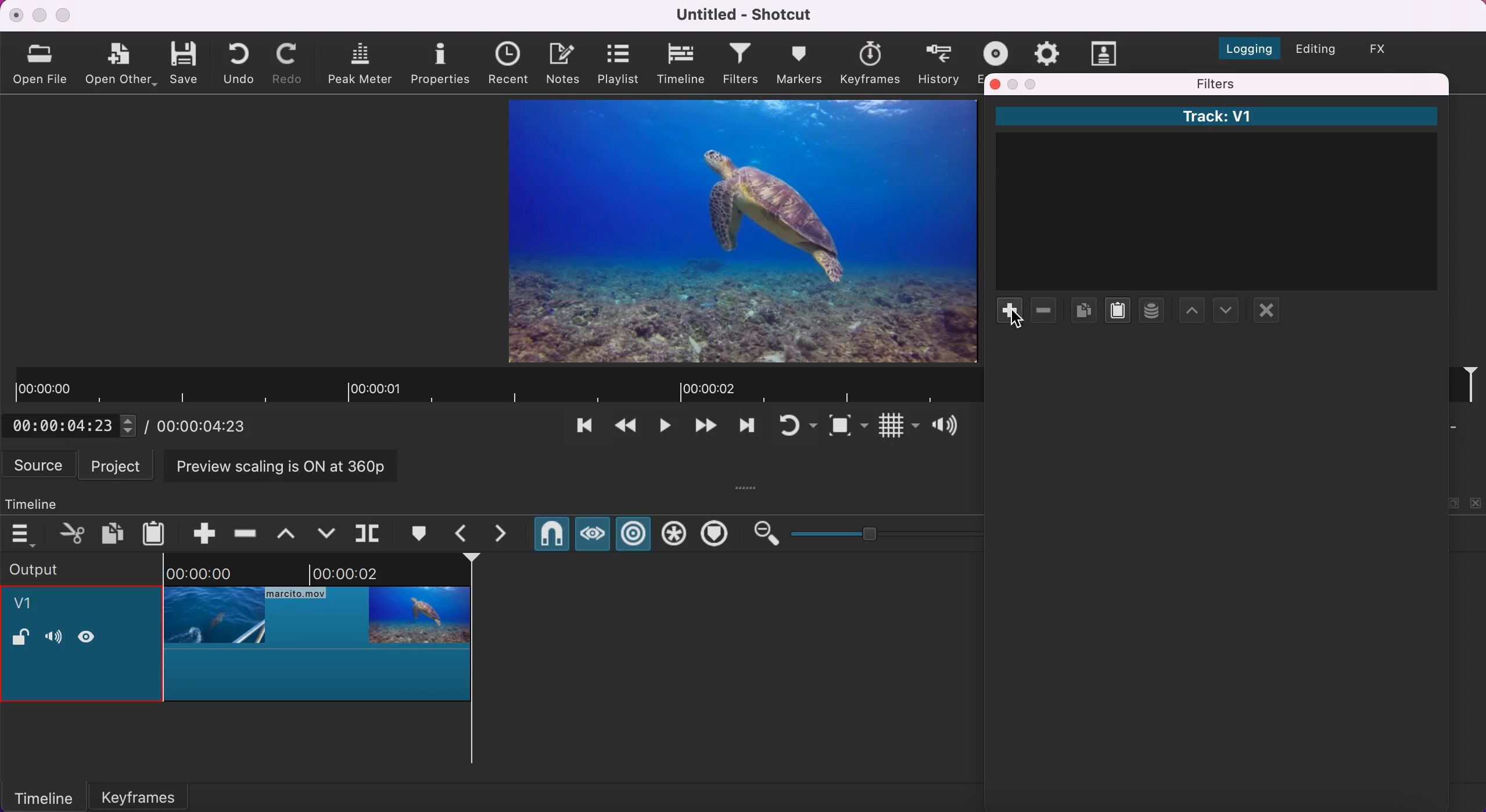  Describe the element at coordinates (1191, 310) in the screenshot. I see `move filter down` at that location.